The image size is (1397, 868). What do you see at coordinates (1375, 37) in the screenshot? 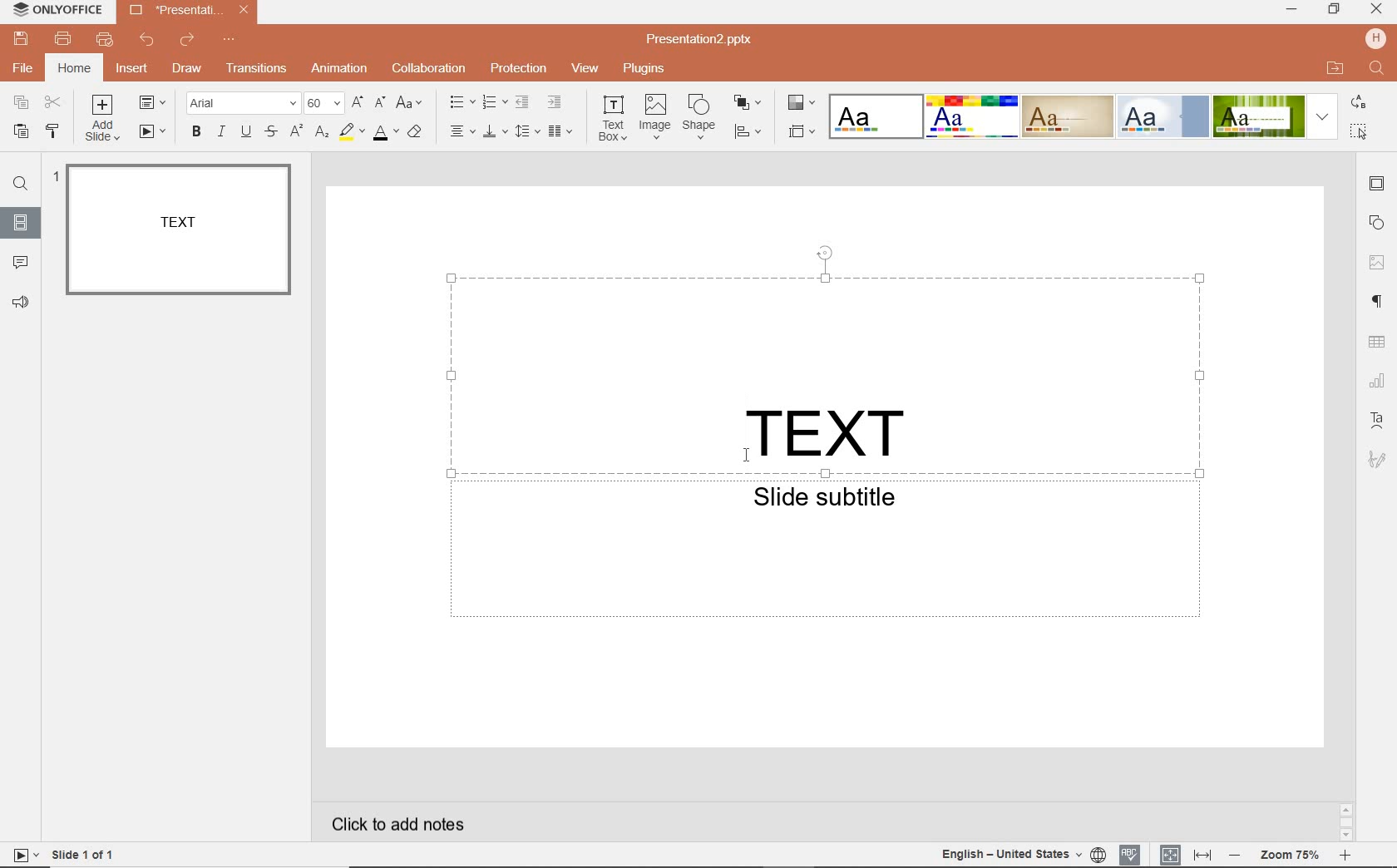
I see `hp` at bounding box center [1375, 37].